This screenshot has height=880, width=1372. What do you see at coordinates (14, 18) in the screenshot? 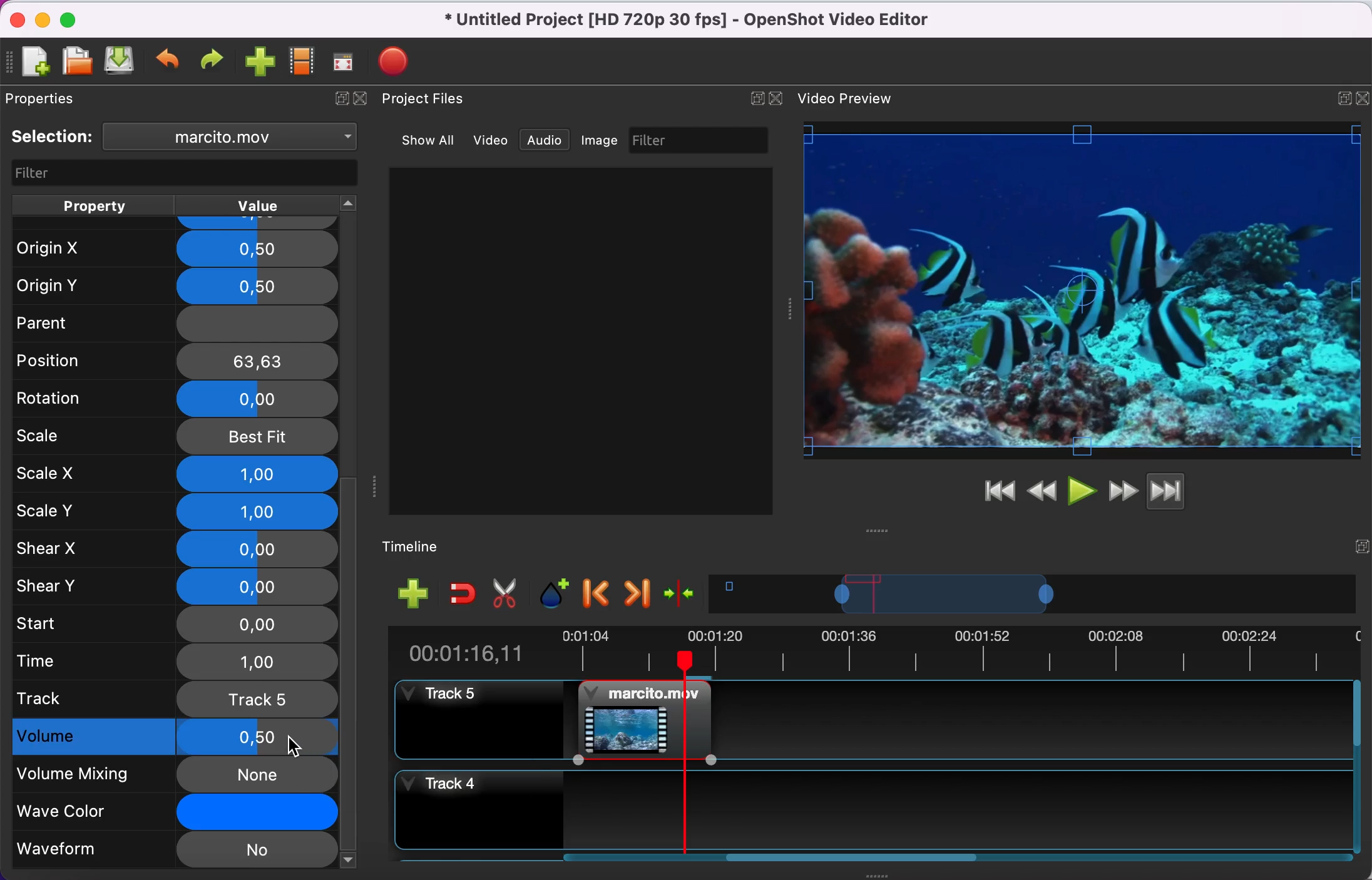
I see `close` at bounding box center [14, 18].